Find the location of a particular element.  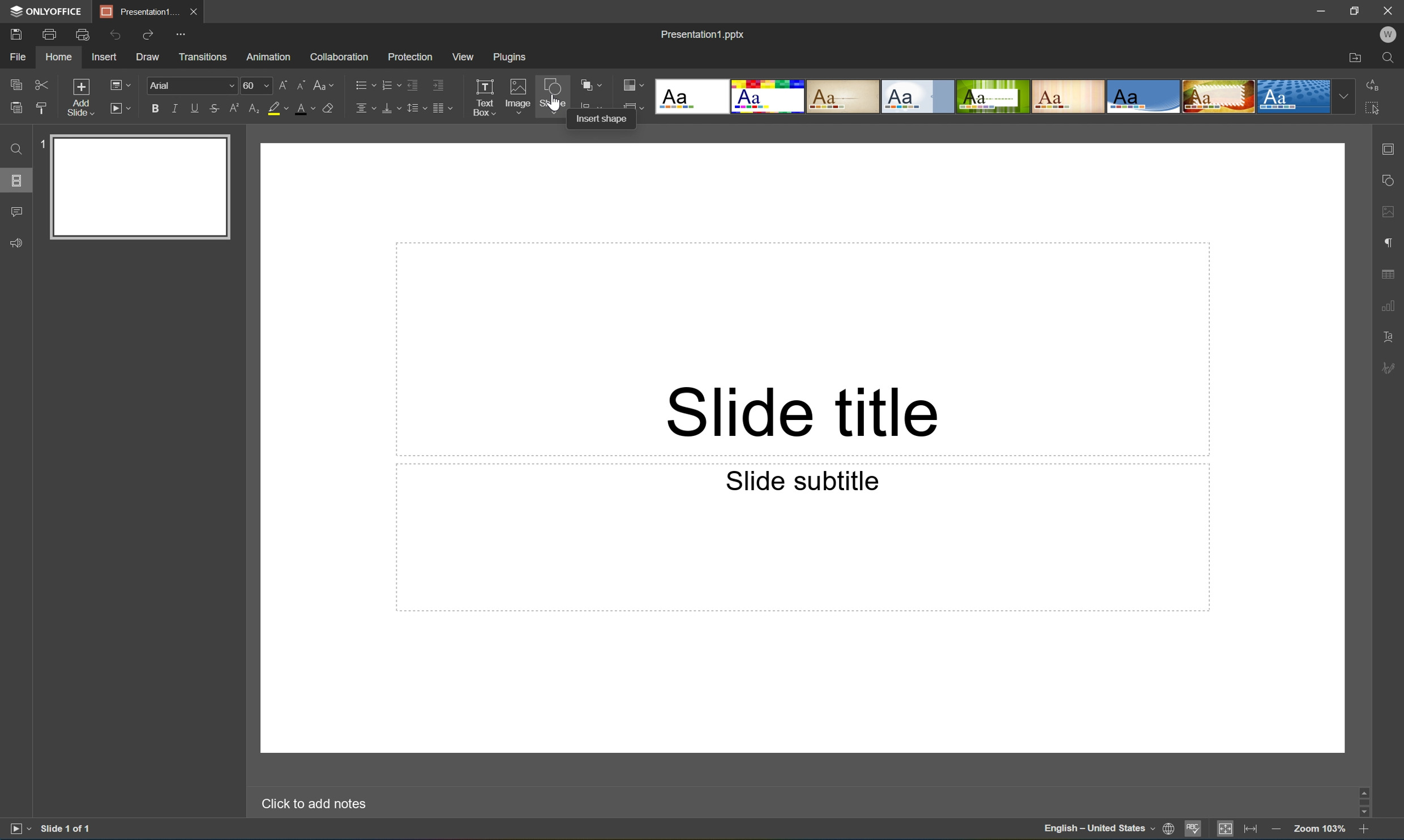

signature settings is located at coordinates (1390, 368).